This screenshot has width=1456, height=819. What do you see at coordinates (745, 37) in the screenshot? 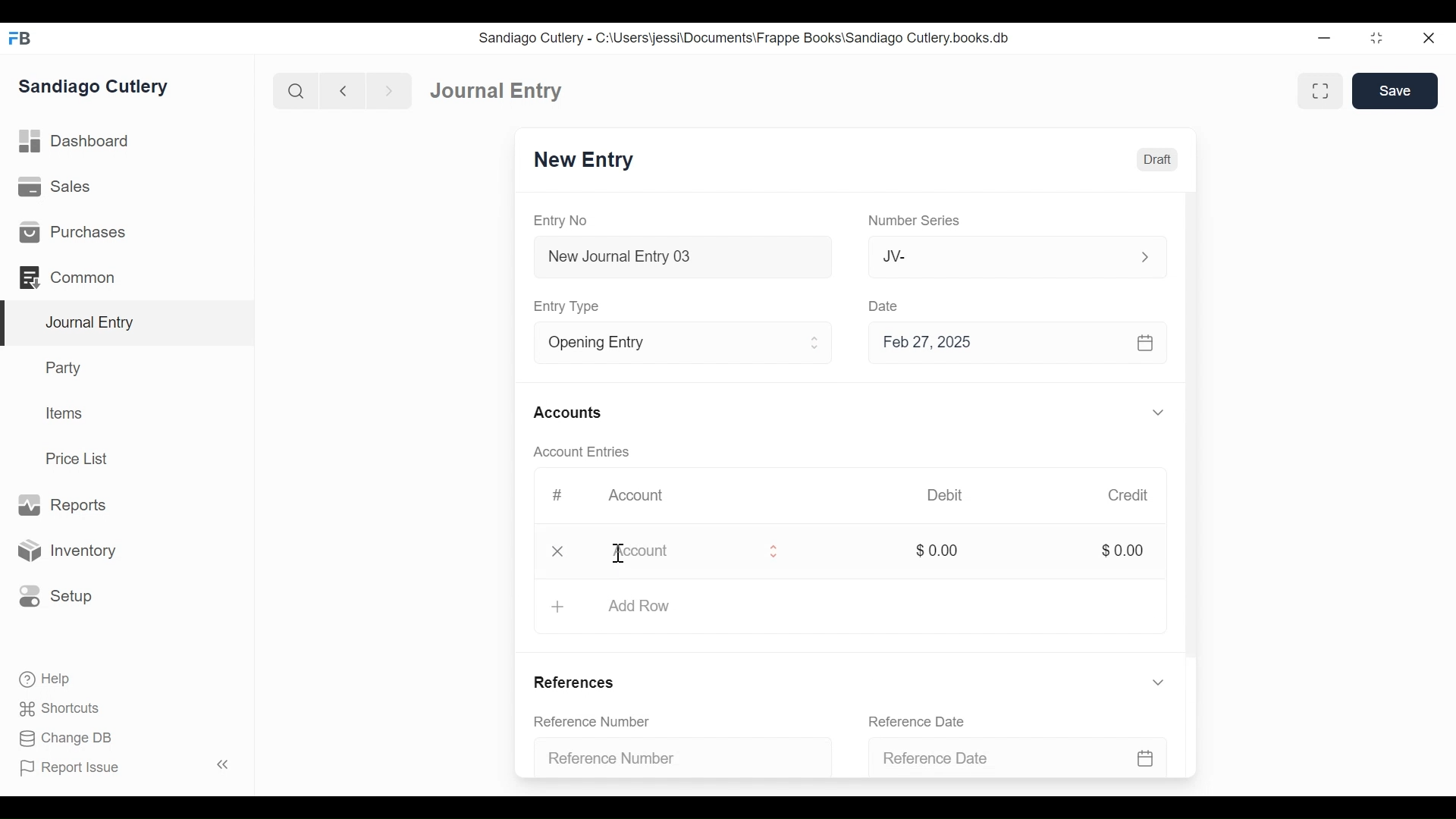
I see `Sandiago Cutlery - C:\Users\jessi\Documents\Frappe Books\Sandiago Cutlery.books.db` at bounding box center [745, 37].